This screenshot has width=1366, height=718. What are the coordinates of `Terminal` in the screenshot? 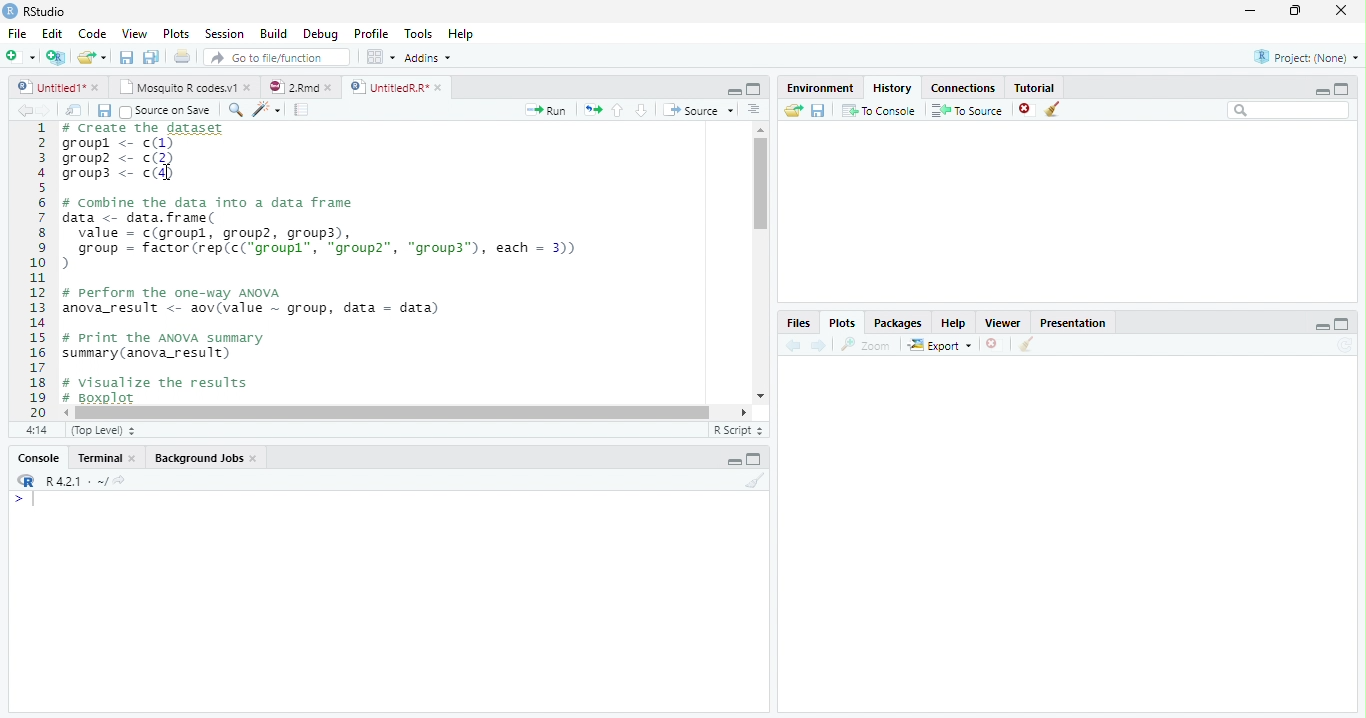 It's located at (108, 458).